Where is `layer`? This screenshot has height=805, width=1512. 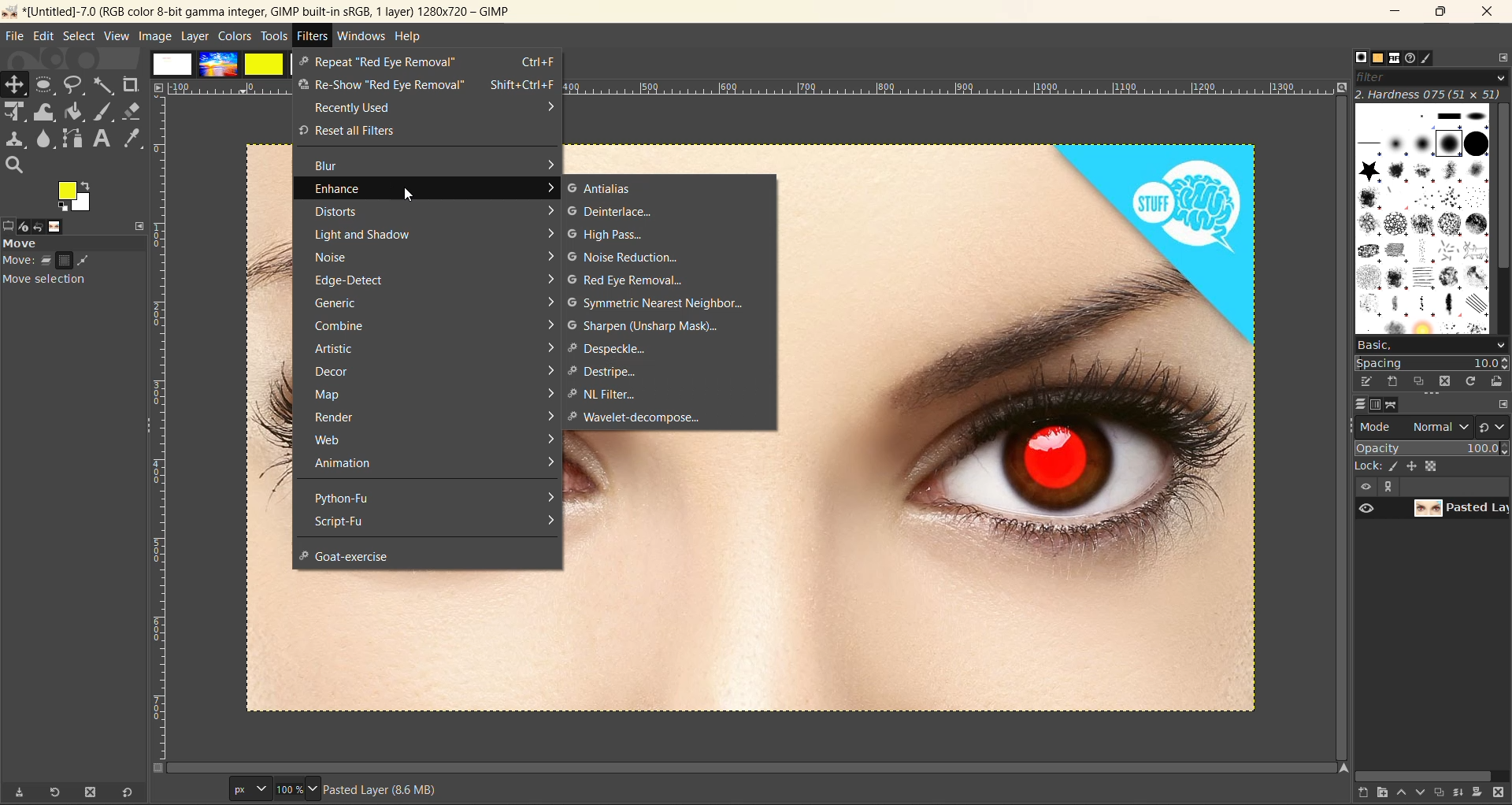 layer is located at coordinates (1462, 508).